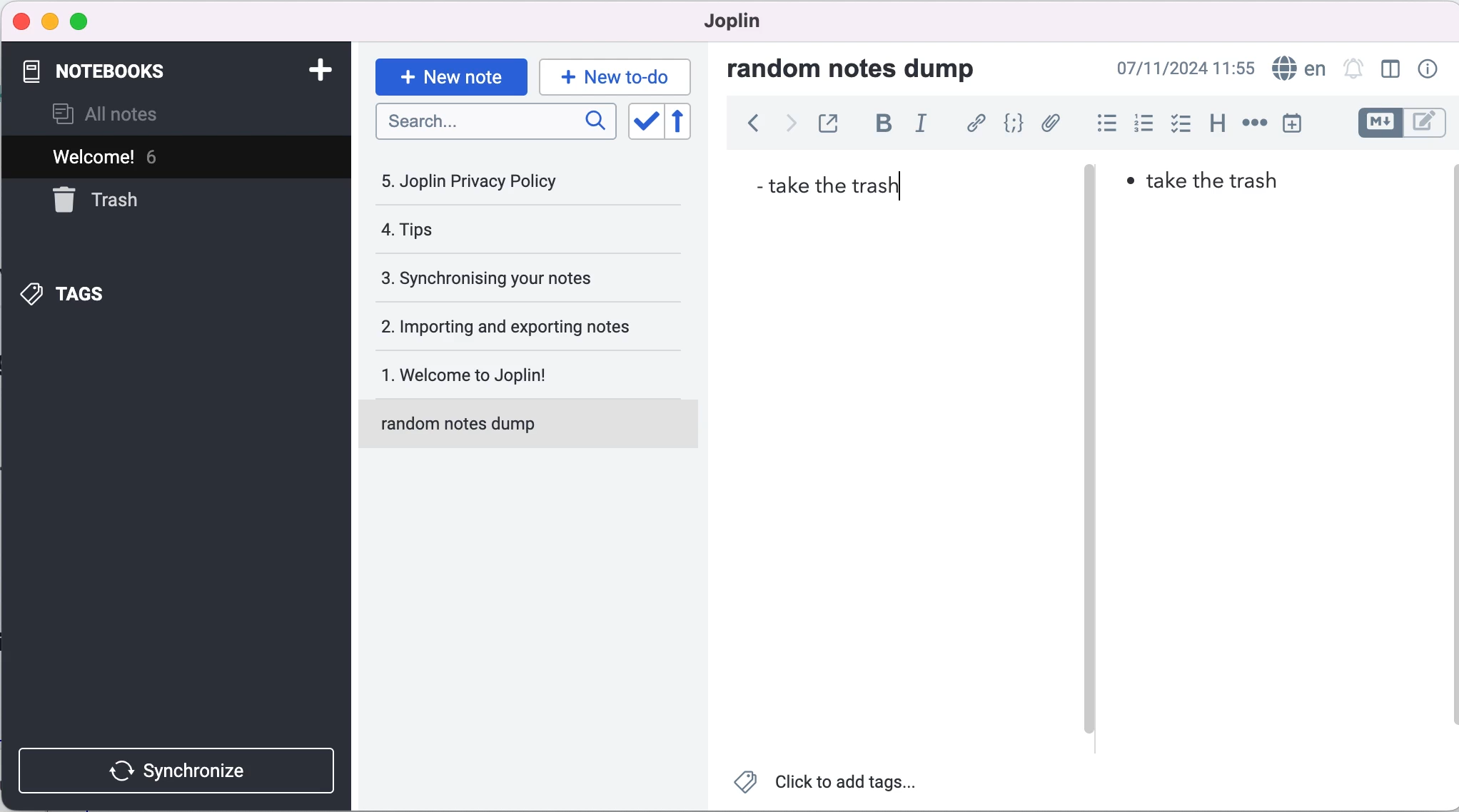 This screenshot has height=812, width=1459. What do you see at coordinates (141, 72) in the screenshot?
I see `notebooks` at bounding box center [141, 72].